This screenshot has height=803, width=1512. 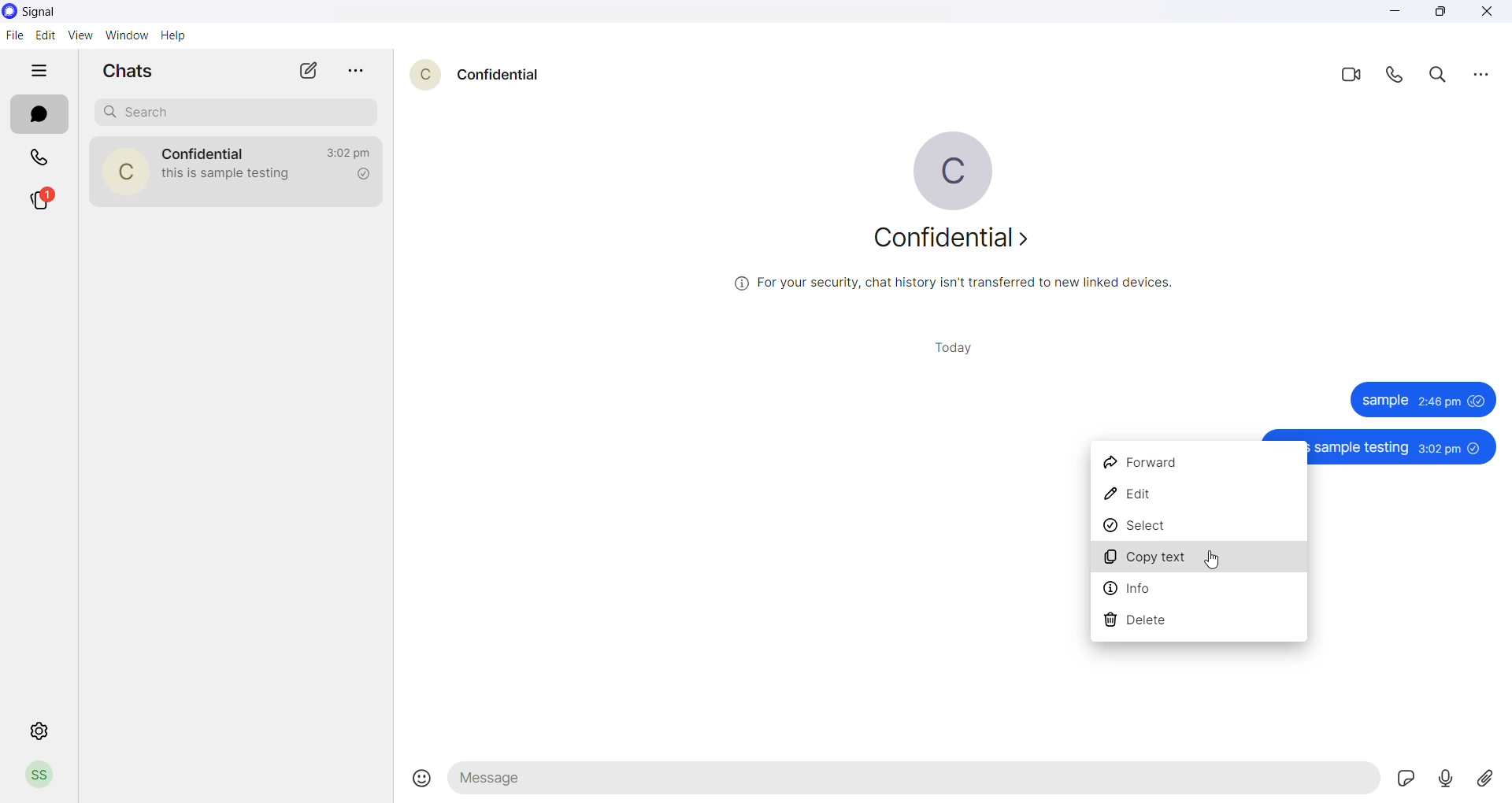 What do you see at coordinates (1395, 13) in the screenshot?
I see `minimize` at bounding box center [1395, 13].